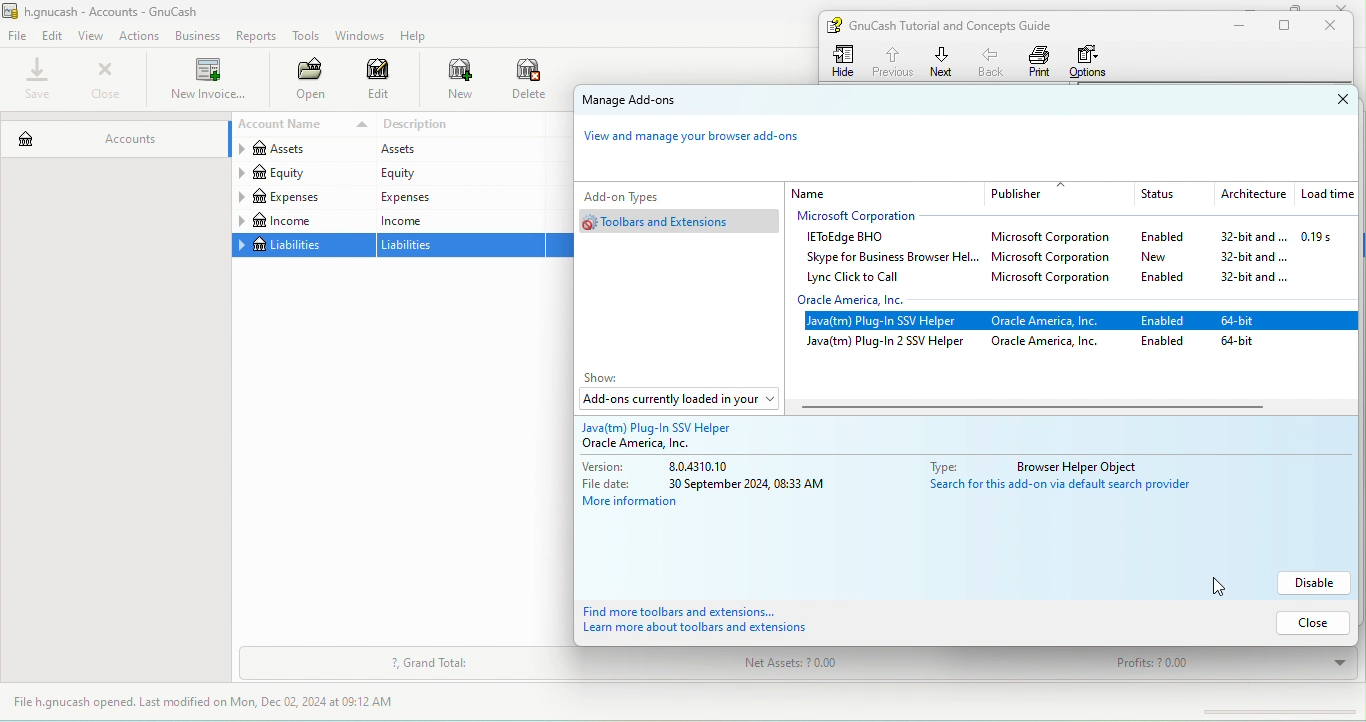 The height and width of the screenshot is (722, 1366). Describe the element at coordinates (1235, 26) in the screenshot. I see `minimize` at that location.